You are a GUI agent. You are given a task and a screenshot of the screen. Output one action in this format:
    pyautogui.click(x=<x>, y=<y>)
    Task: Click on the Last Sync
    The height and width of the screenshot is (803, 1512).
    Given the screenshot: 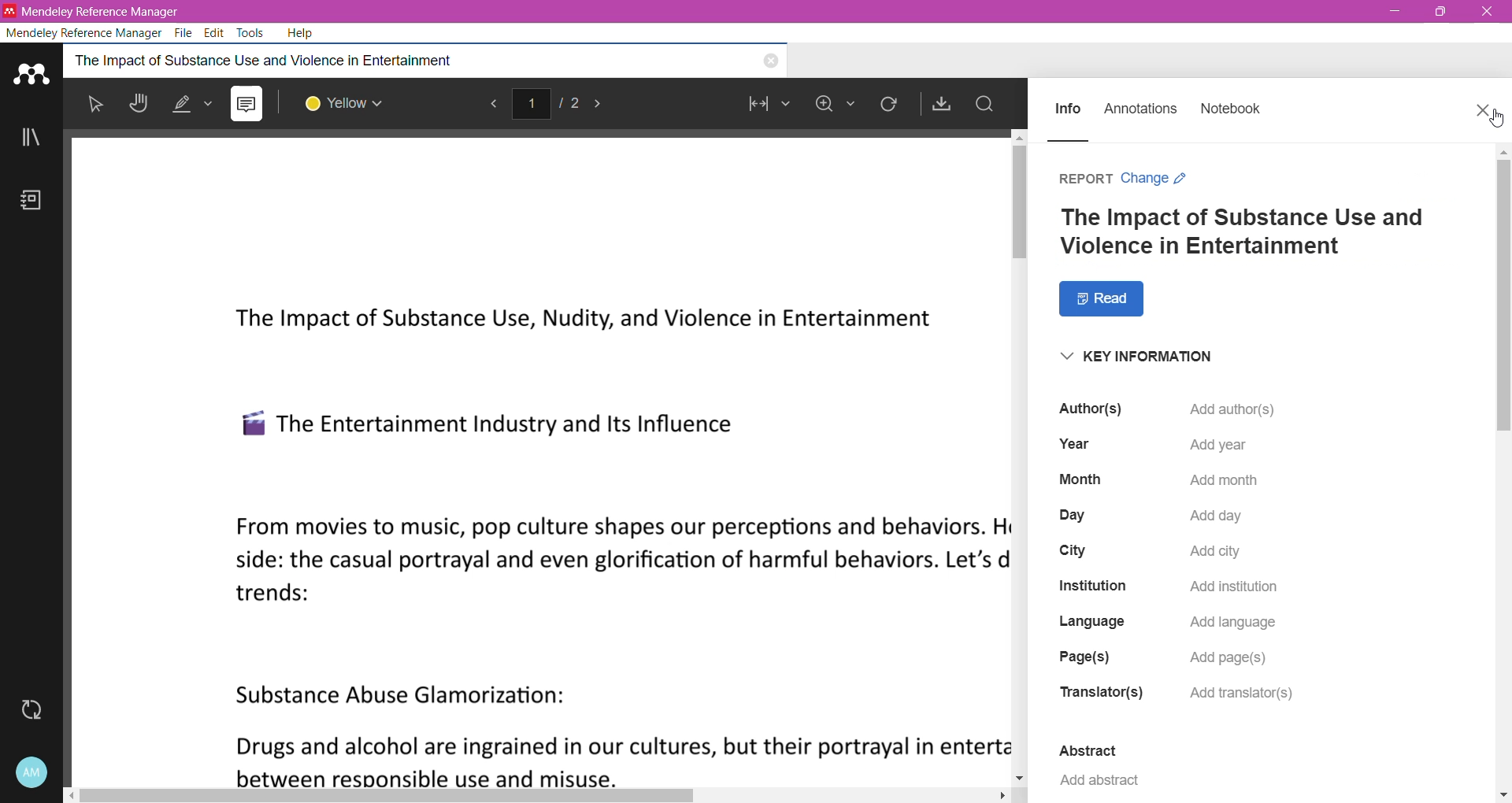 What is the action you would take?
    pyautogui.click(x=38, y=710)
    